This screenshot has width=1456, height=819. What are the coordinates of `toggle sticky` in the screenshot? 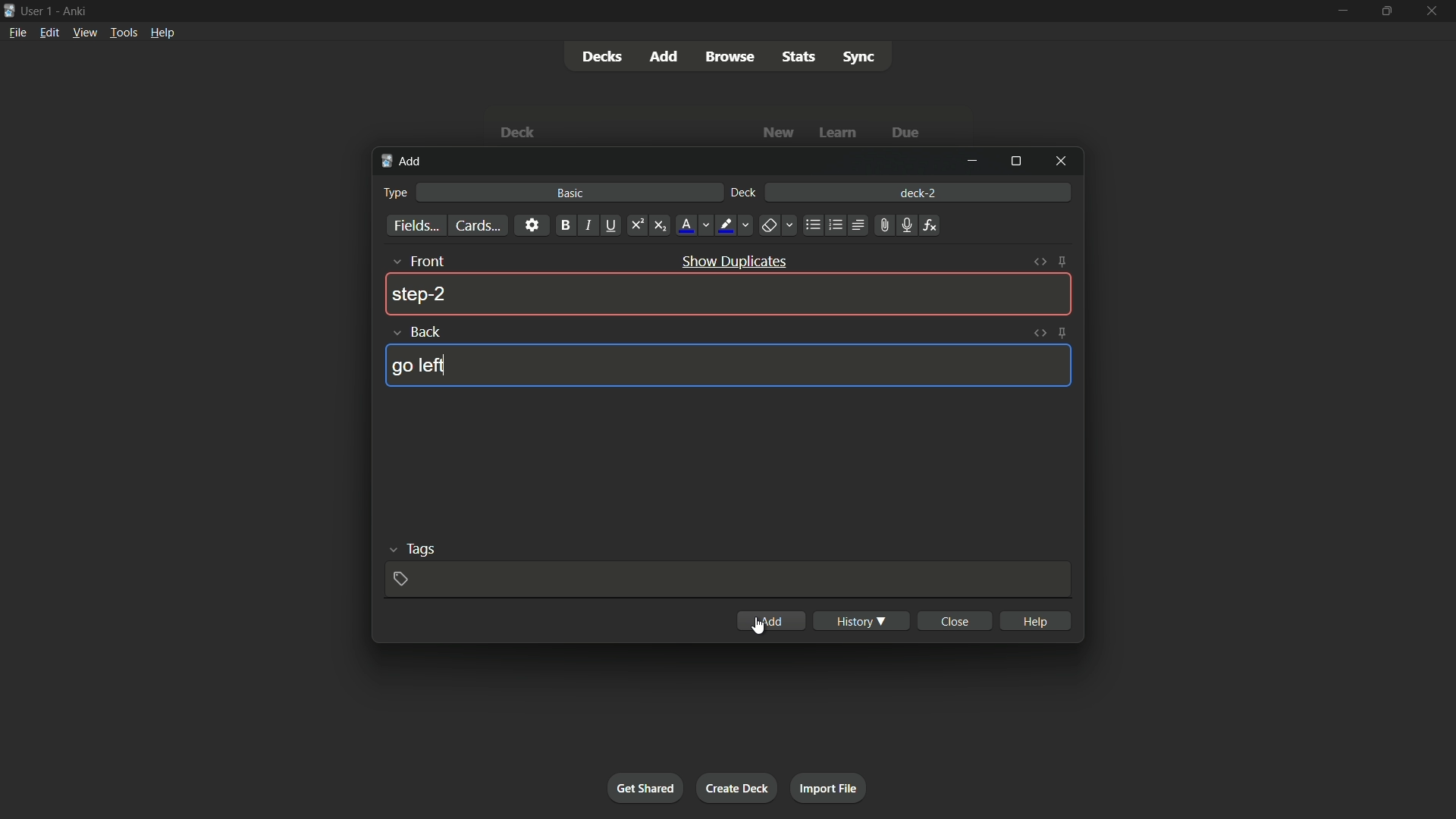 It's located at (1064, 262).